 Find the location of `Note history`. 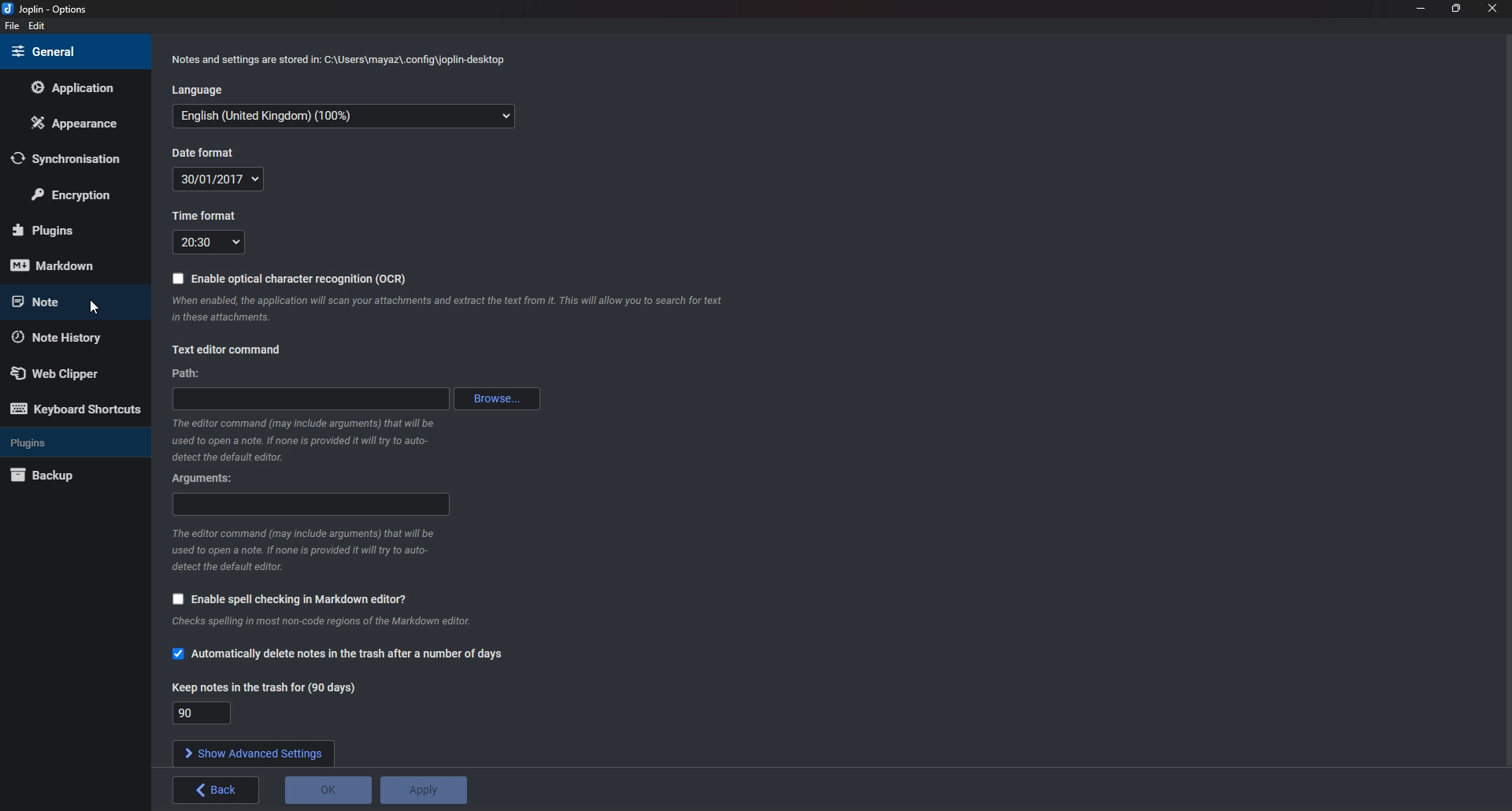

Note history is located at coordinates (71, 336).